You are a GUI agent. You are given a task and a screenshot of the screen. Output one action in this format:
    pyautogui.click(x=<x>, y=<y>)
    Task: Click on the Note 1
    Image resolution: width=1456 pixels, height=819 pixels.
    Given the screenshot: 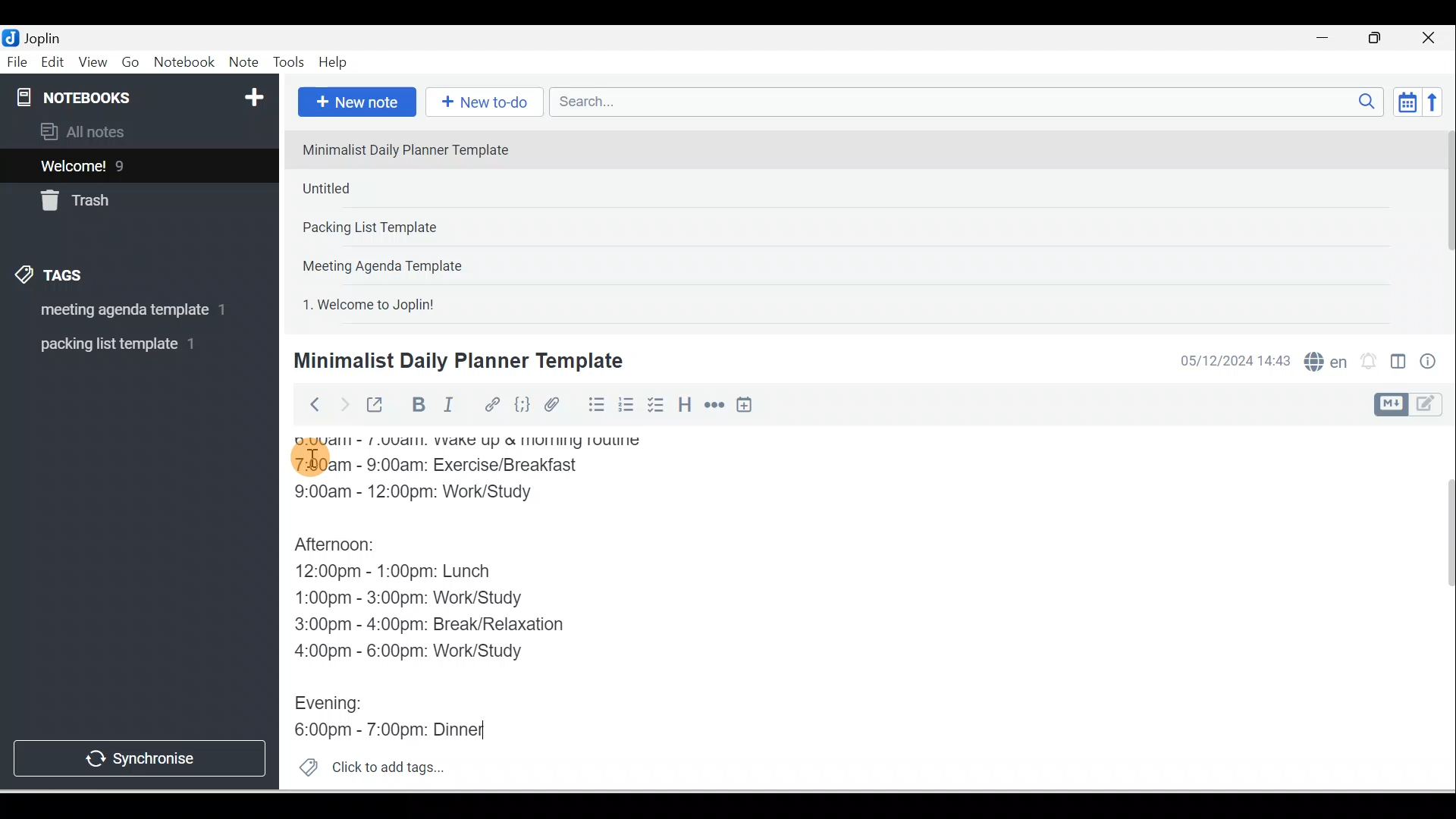 What is the action you would take?
    pyautogui.click(x=416, y=149)
    